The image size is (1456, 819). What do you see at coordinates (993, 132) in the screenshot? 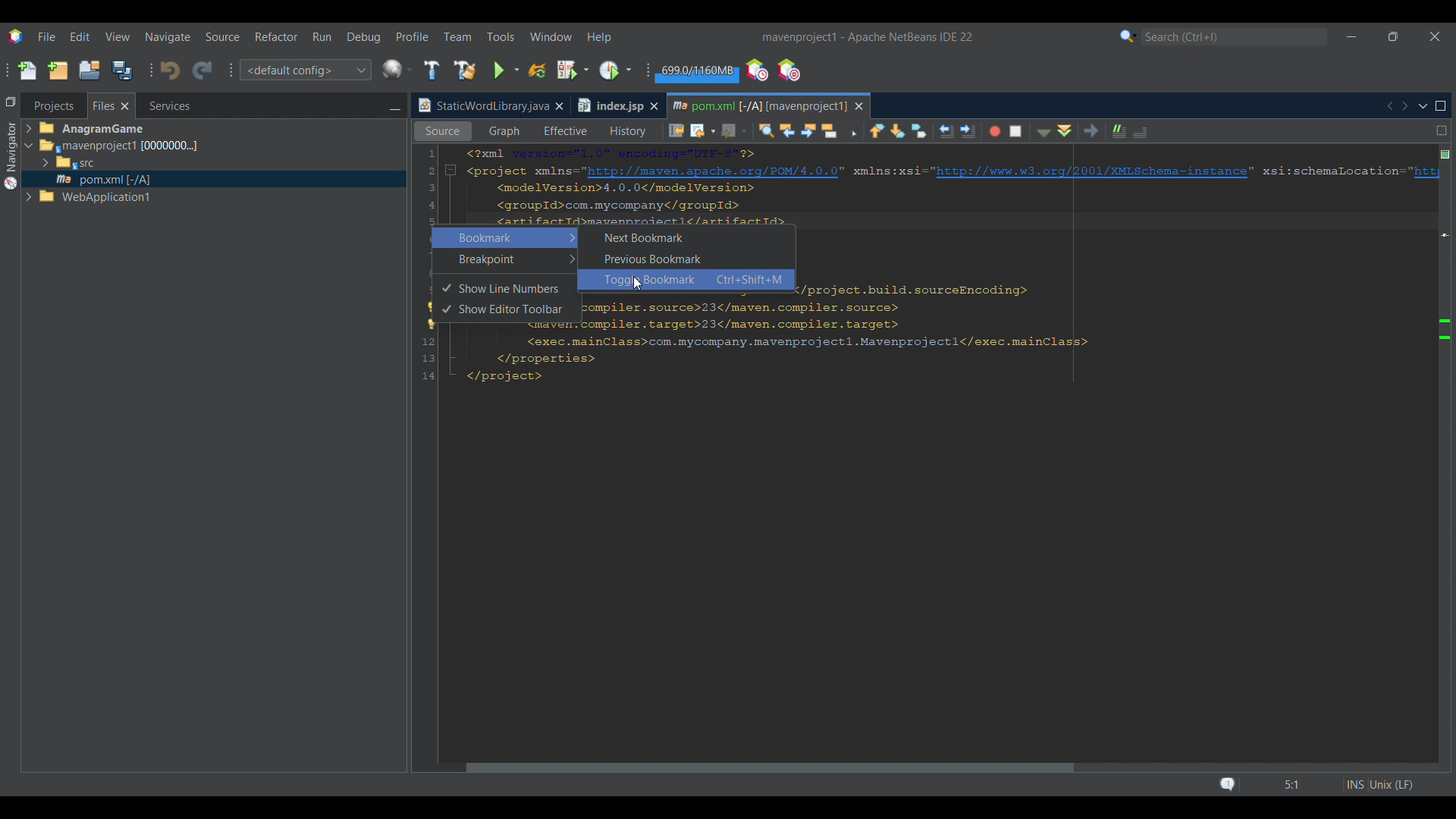
I see `Start macro recording` at bounding box center [993, 132].